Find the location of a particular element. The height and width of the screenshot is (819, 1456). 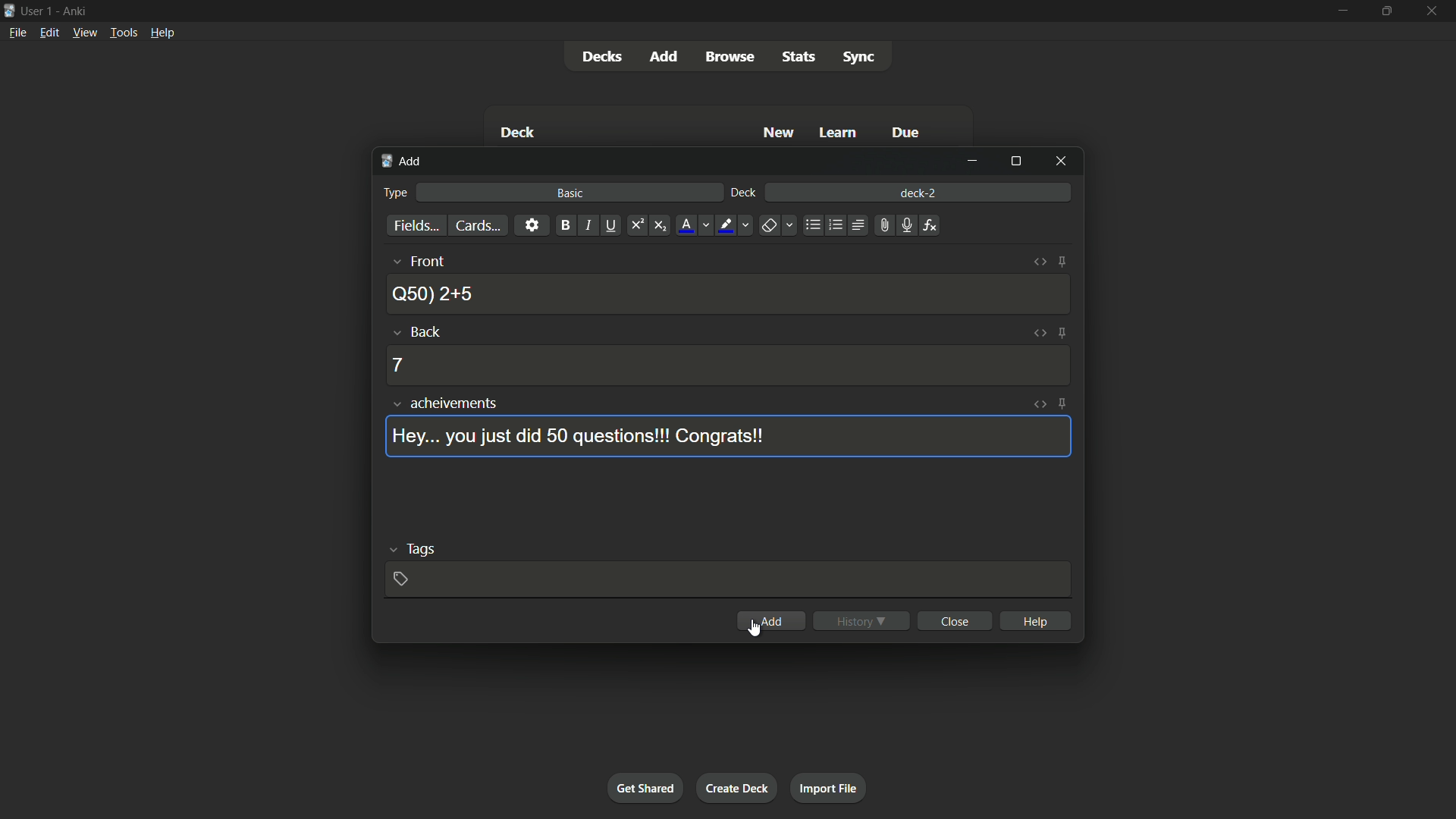

basic is located at coordinates (572, 193).